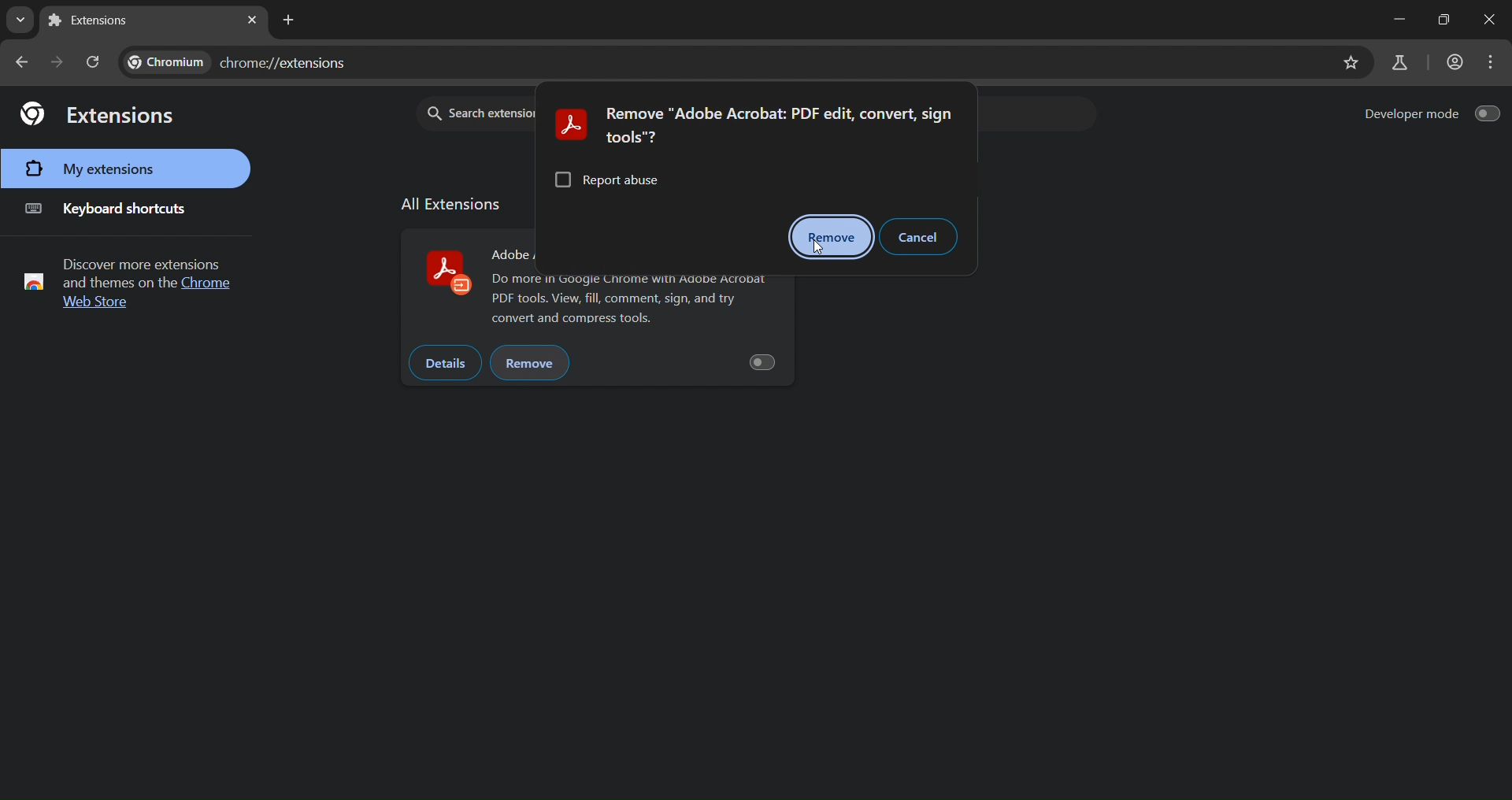  Describe the element at coordinates (1443, 18) in the screenshot. I see `maximize` at that location.